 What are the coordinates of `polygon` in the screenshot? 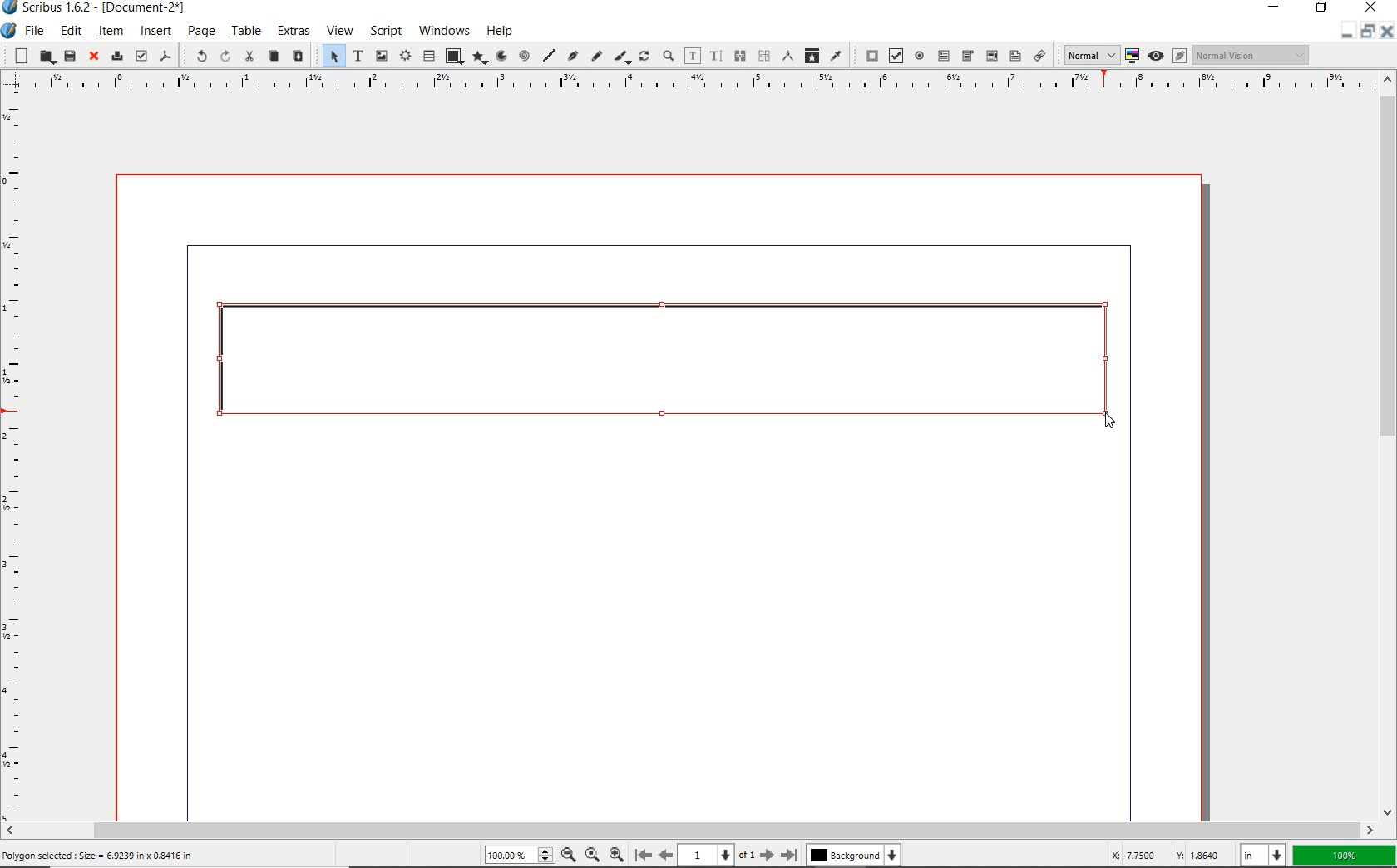 It's located at (481, 58).